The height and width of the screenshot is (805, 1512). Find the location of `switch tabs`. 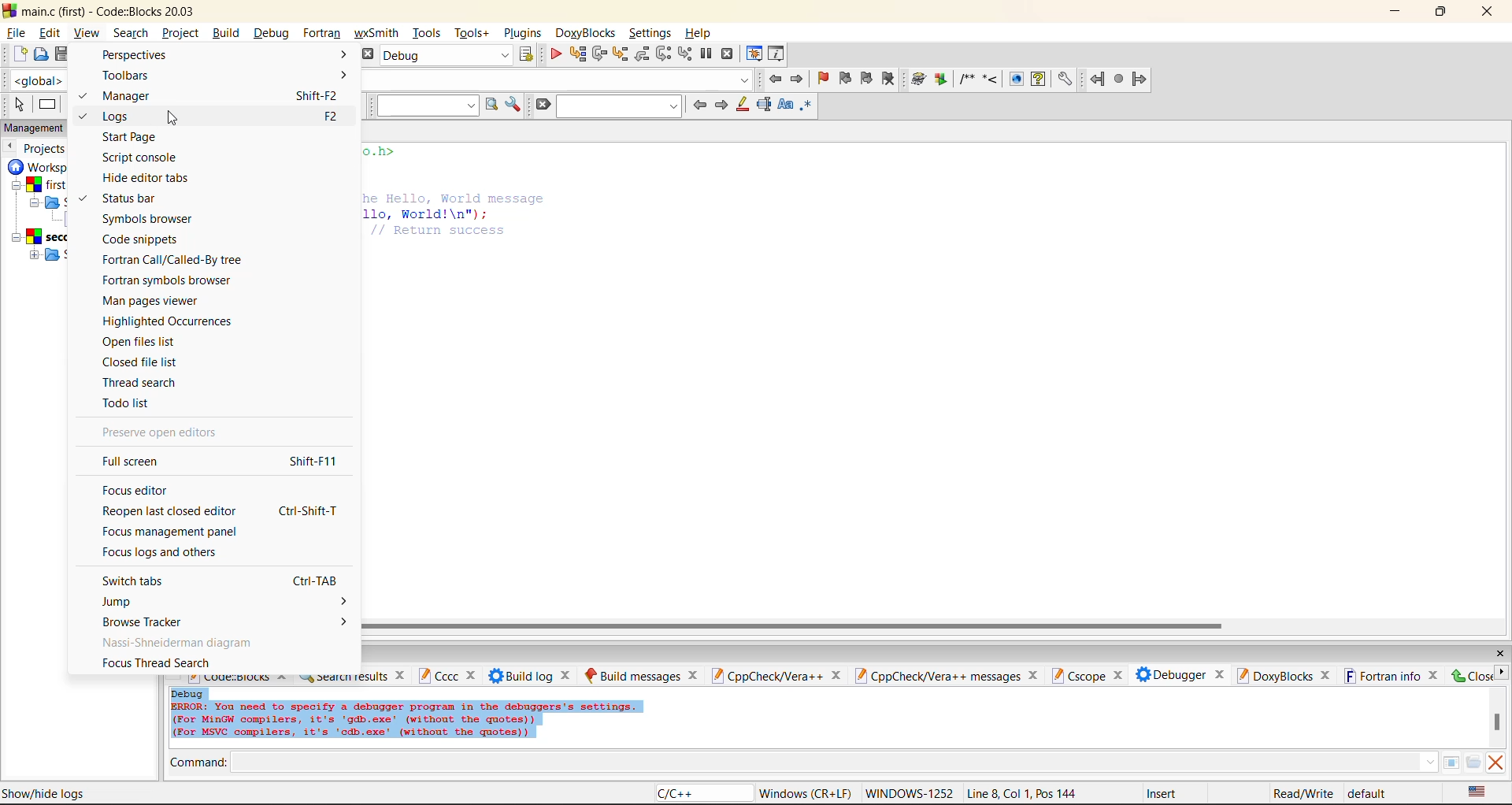

switch tabs is located at coordinates (133, 581).